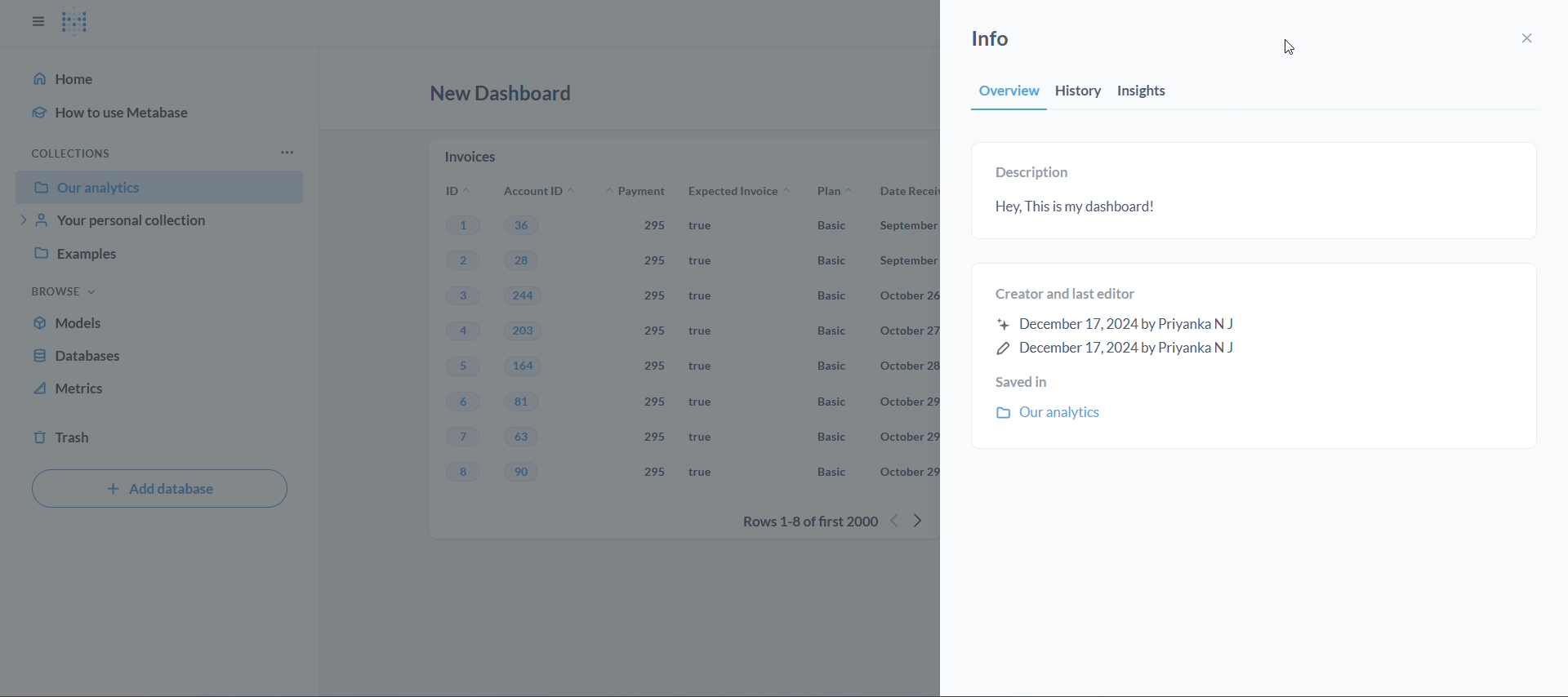 This screenshot has width=1568, height=697. What do you see at coordinates (76, 151) in the screenshot?
I see `collection` at bounding box center [76, 151].